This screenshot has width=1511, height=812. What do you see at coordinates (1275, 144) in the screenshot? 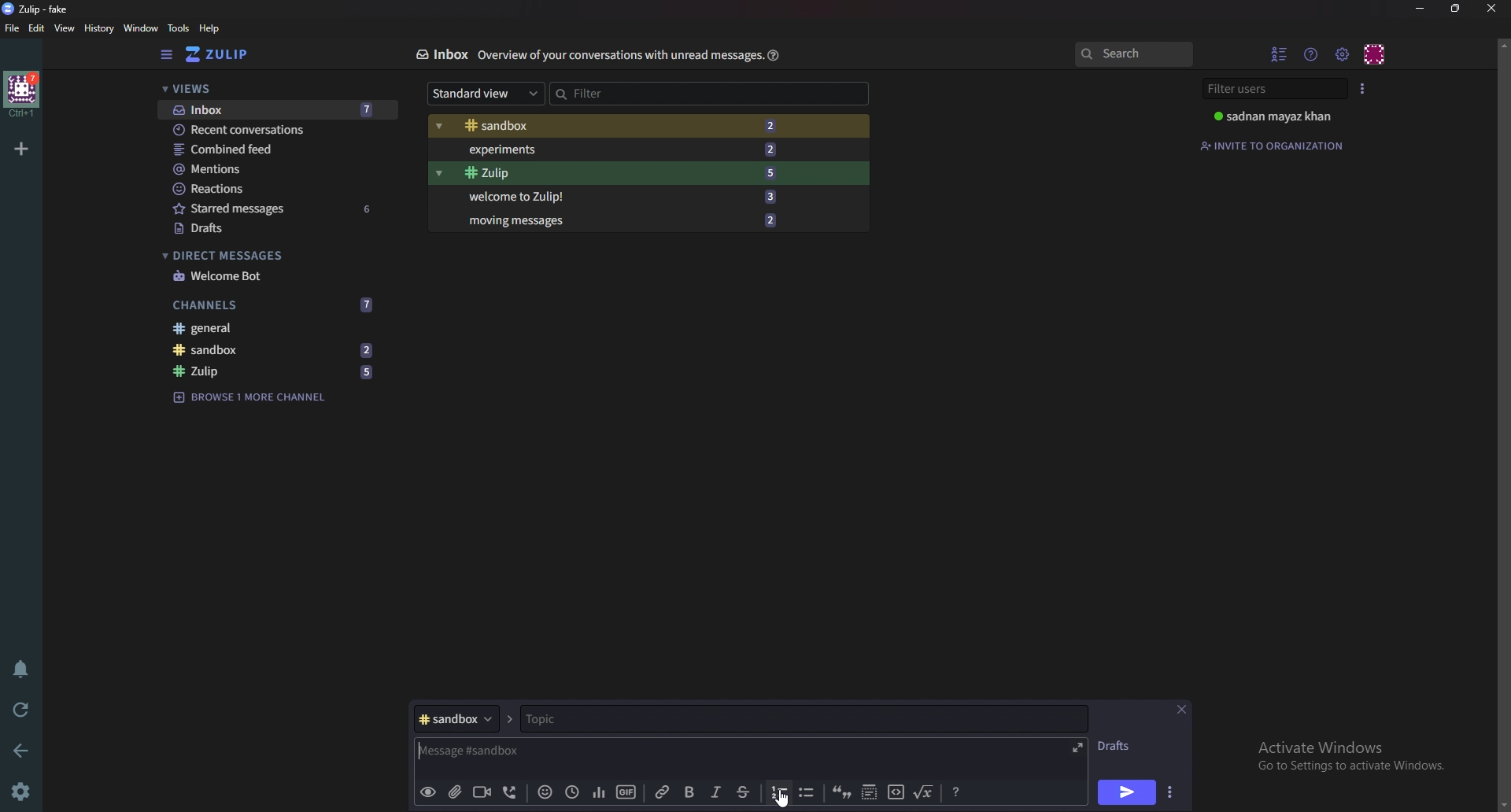
I see `Invite to organization` at bounding box center [1275, 144].